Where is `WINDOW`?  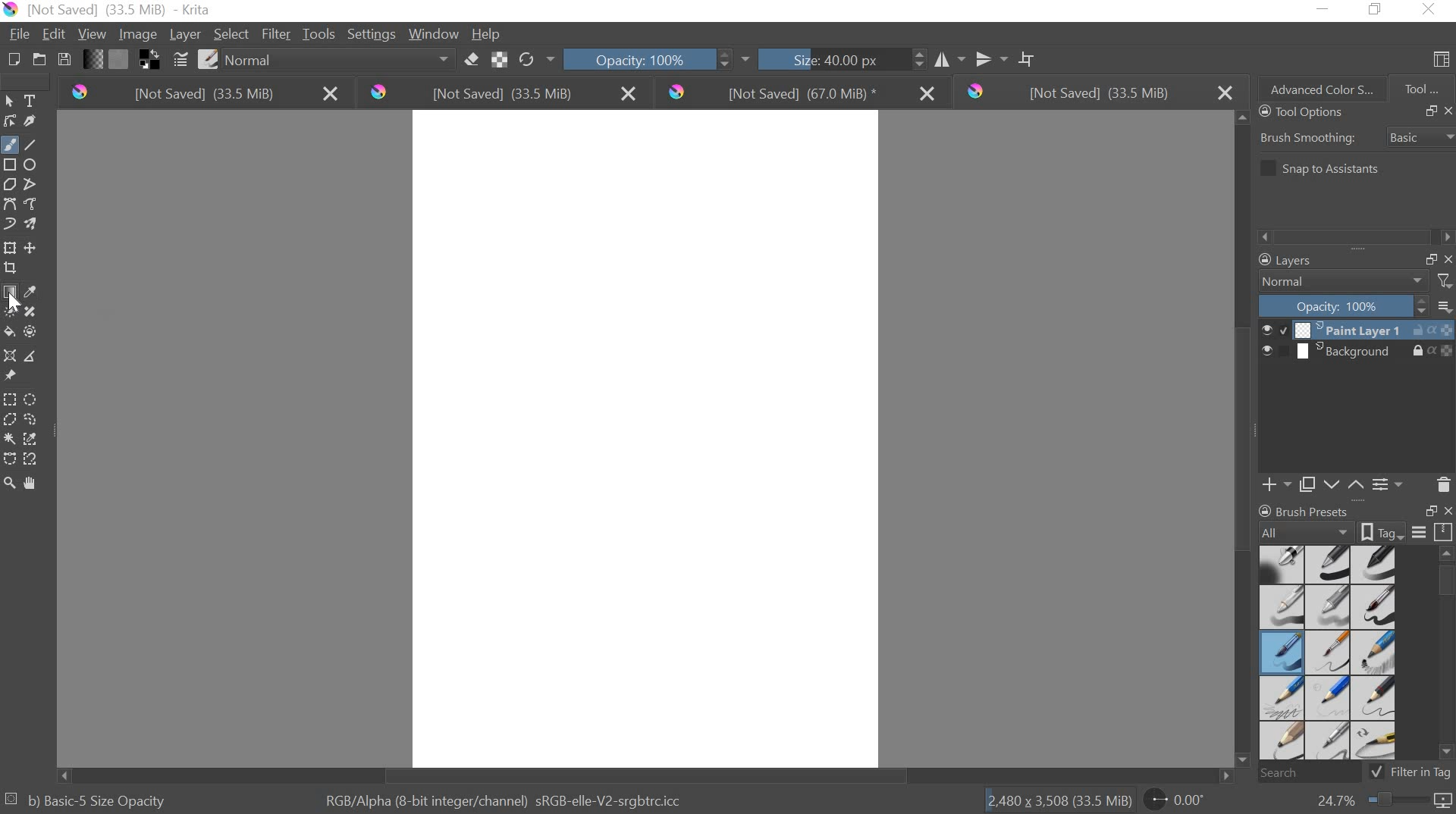 WINDOW is located at coordinates (433, 35).